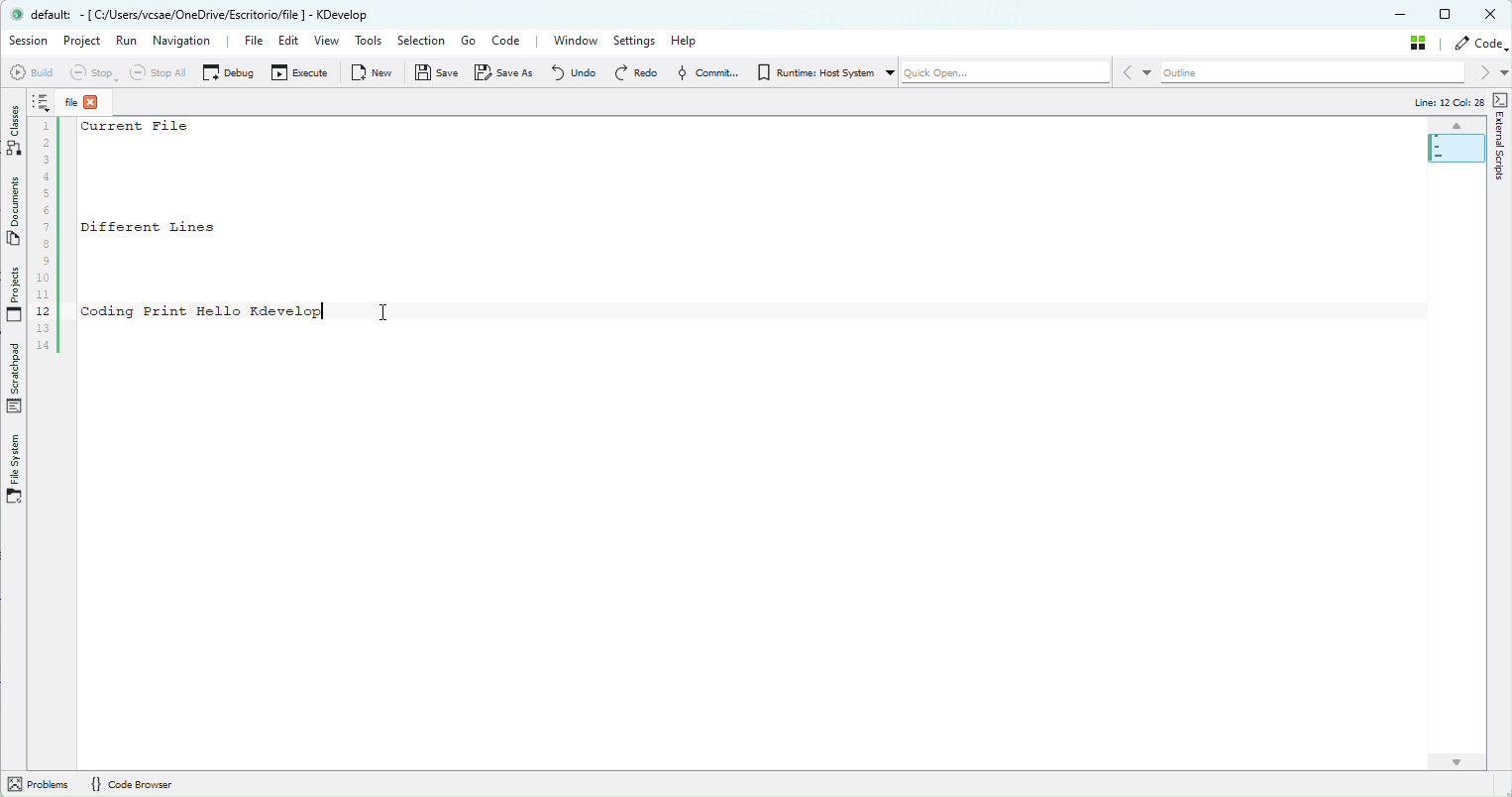 The height and width of the screenshot is (797, 1512). What do you see at coordinates (301, 72) in the screenshot?
I see `Execute` at bounding box center [301, 72].